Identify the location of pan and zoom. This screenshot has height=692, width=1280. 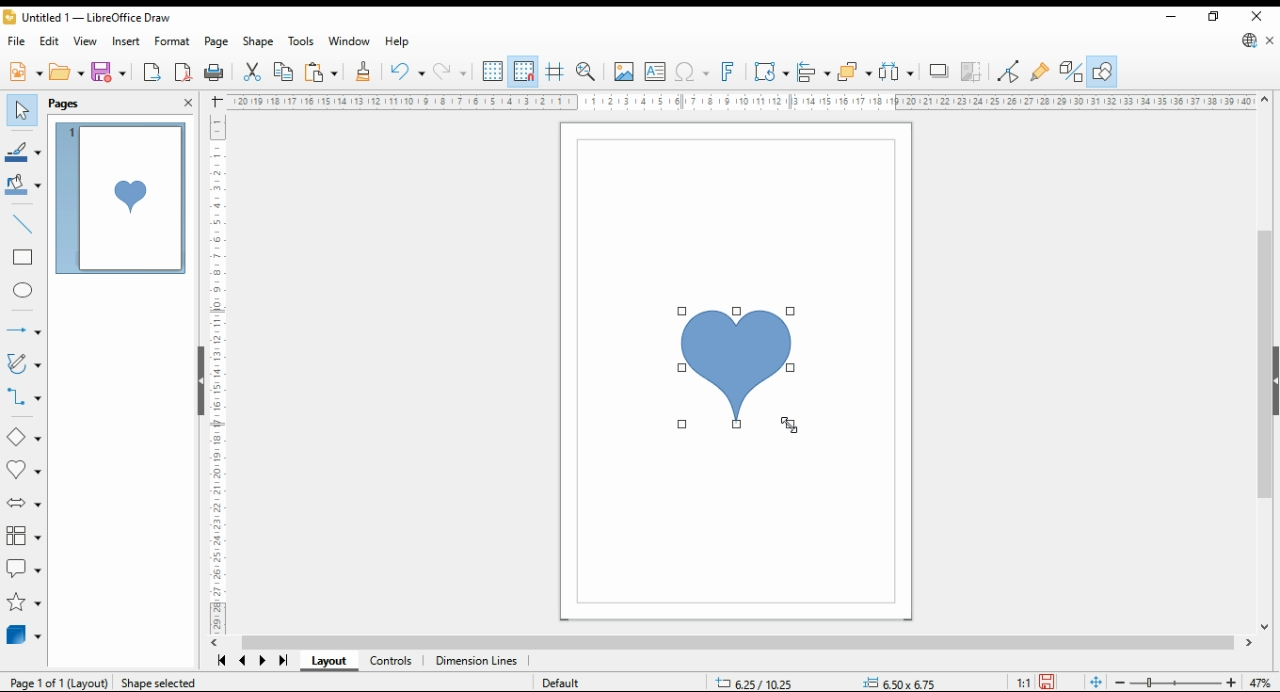
(587, 72).